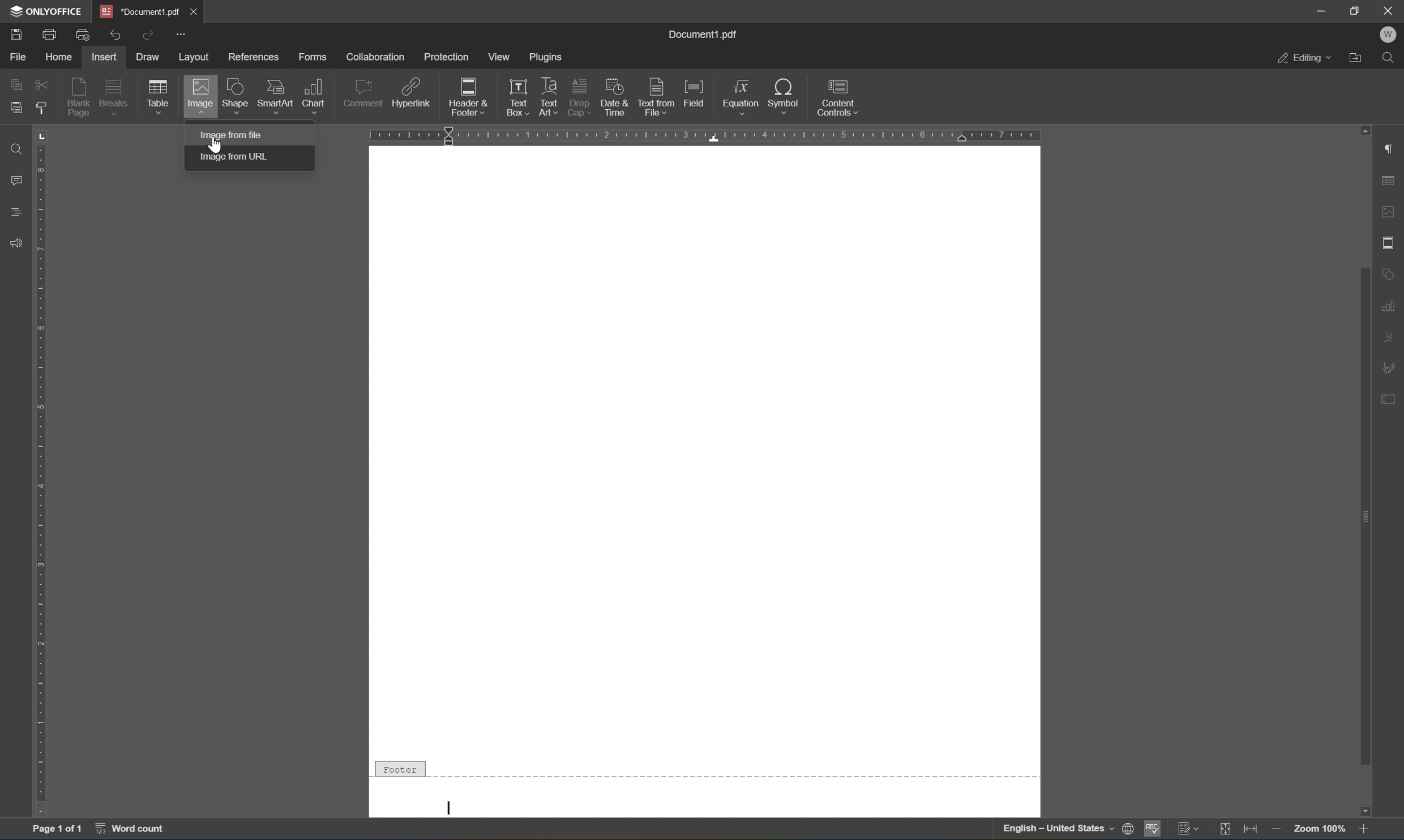 Image resolution: width=1404 pixels, height=840 pixels. Describe the element at coordinates (1152, 830) in the screenshot. I see `spell checking` at that location.